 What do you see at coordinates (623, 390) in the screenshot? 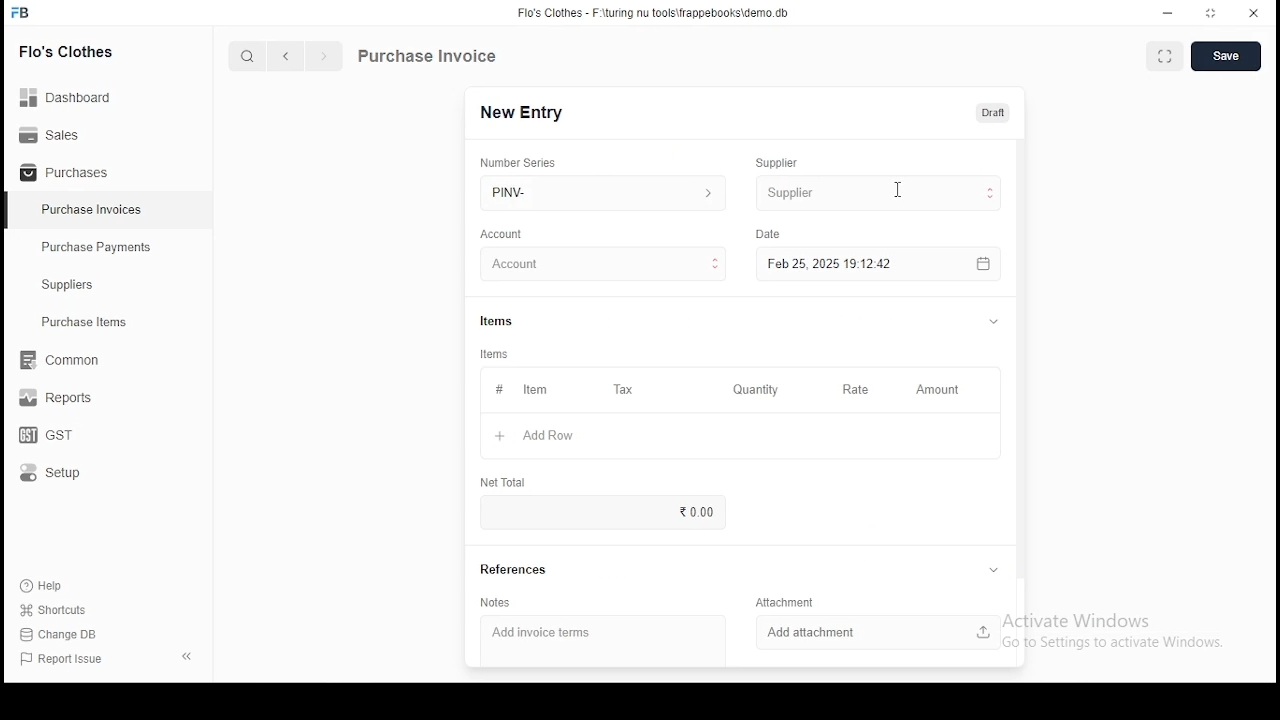
I see `tax` at bounding box center [623, 390].